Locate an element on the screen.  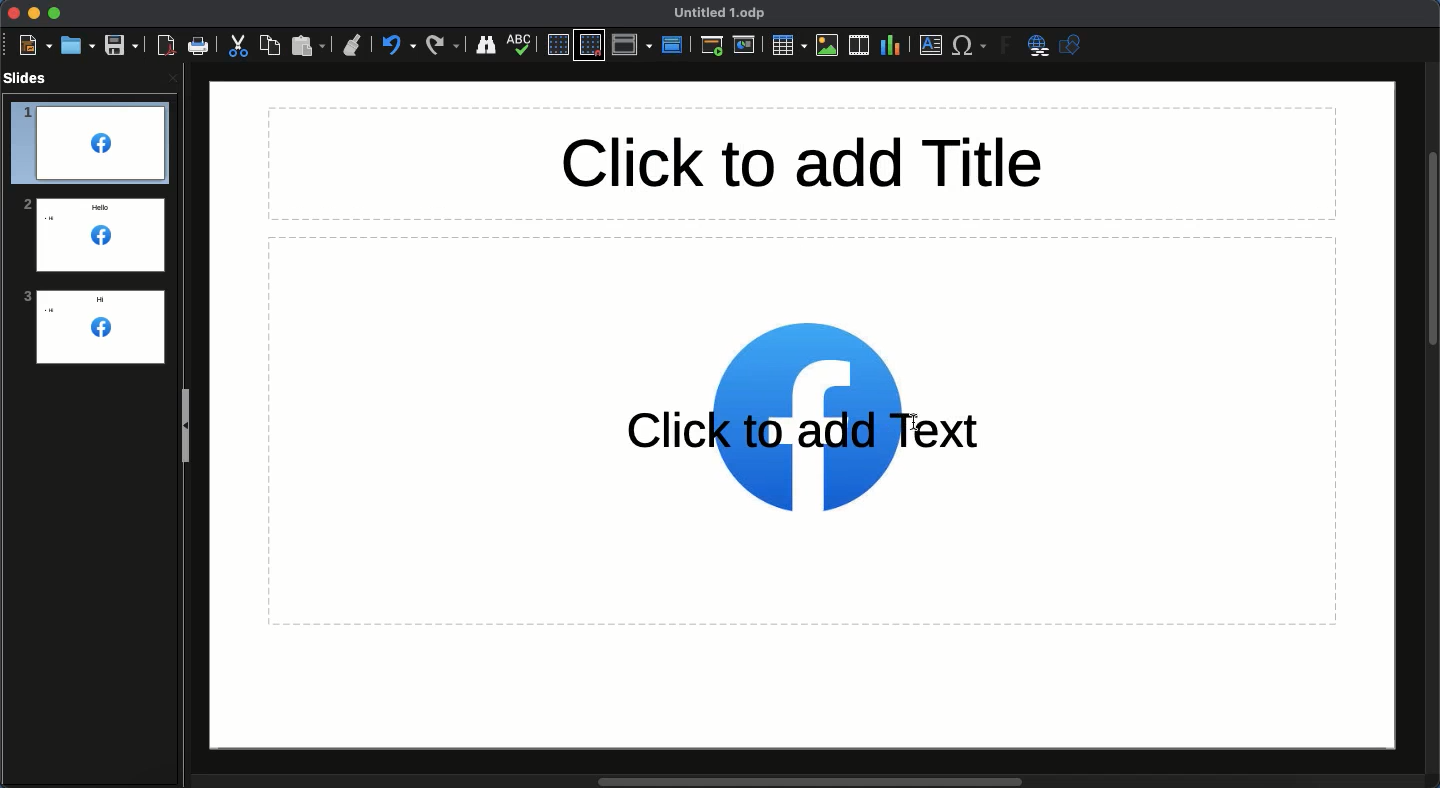
Clone formatting is located at coordinates (355, 46).